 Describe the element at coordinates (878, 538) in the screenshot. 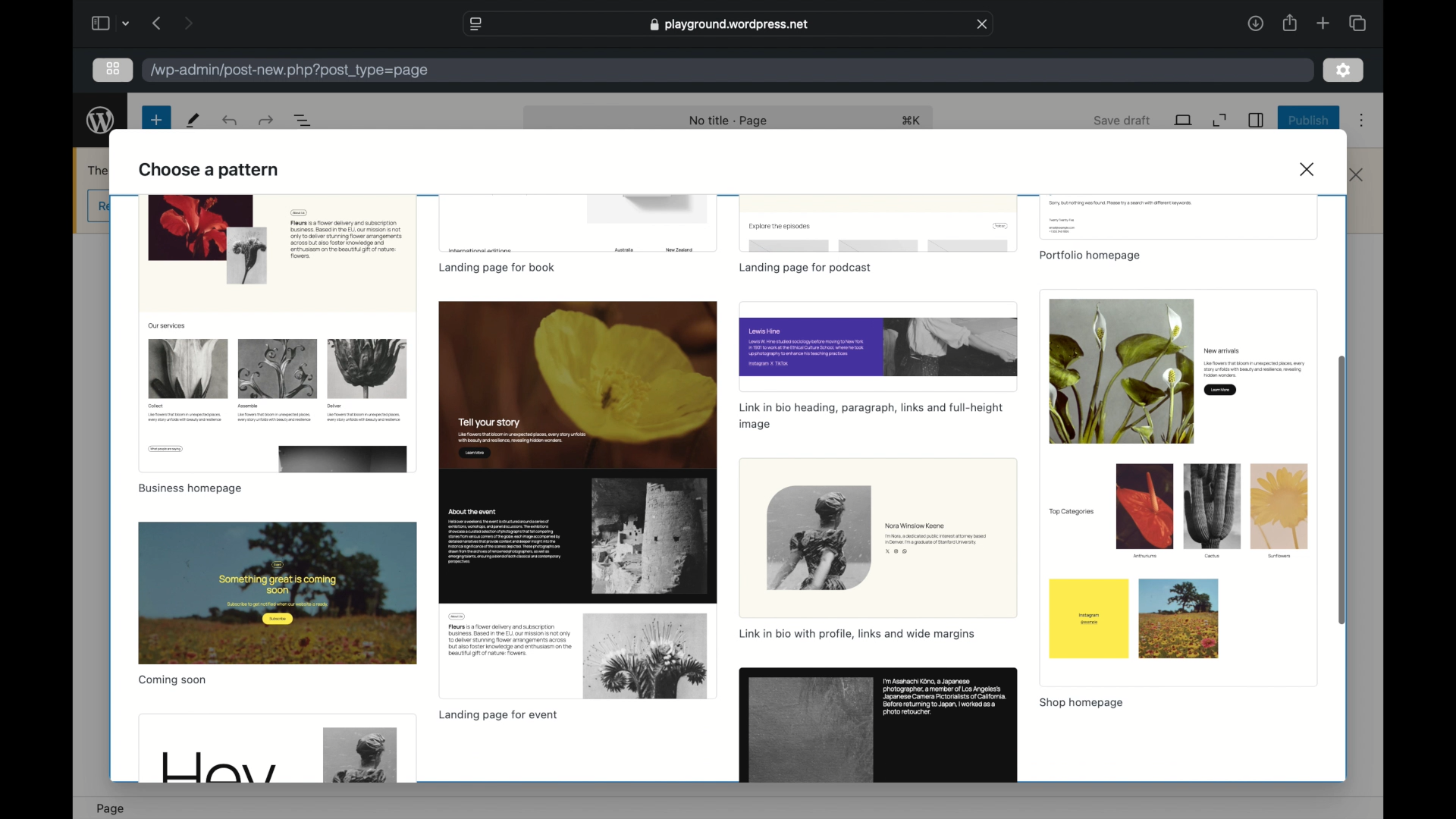

I see `preview` at that location.